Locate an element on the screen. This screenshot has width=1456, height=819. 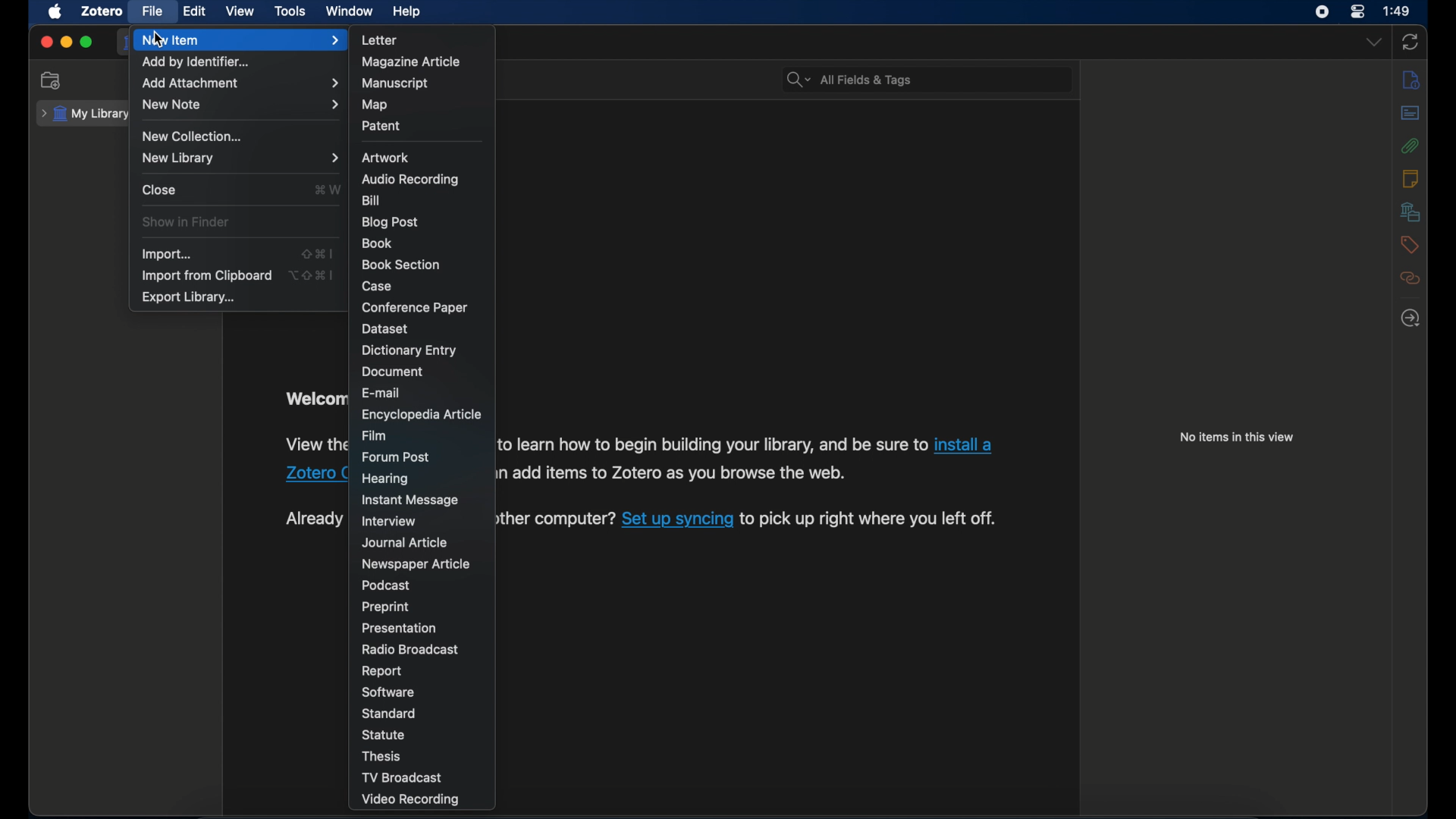
radio broadcast is located at coordinates (409, 649).